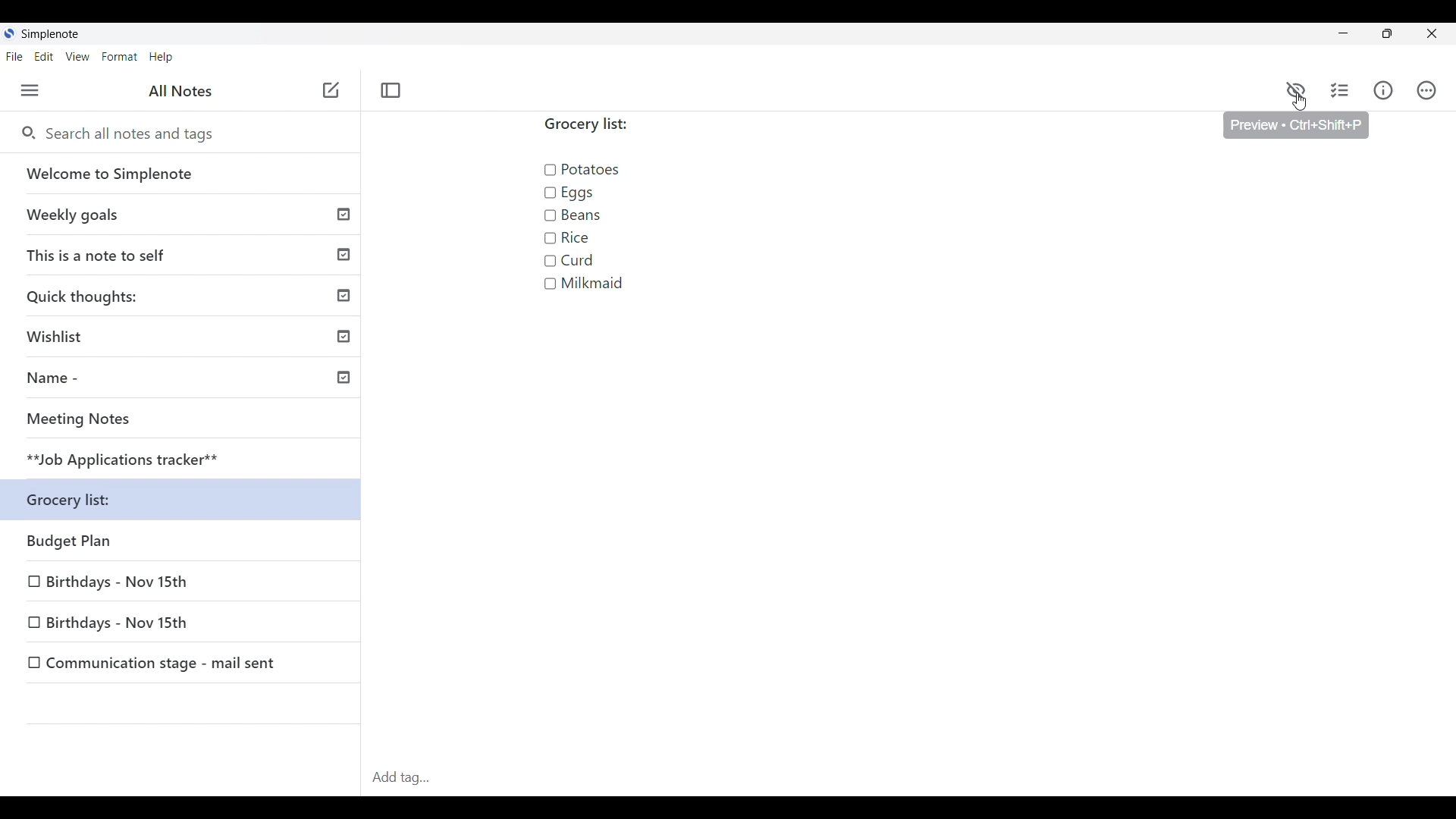 The image size is (1456, 819). Describe the element at coordinates (47, 33) in the screenshot. I see `Simplenote` at that location.